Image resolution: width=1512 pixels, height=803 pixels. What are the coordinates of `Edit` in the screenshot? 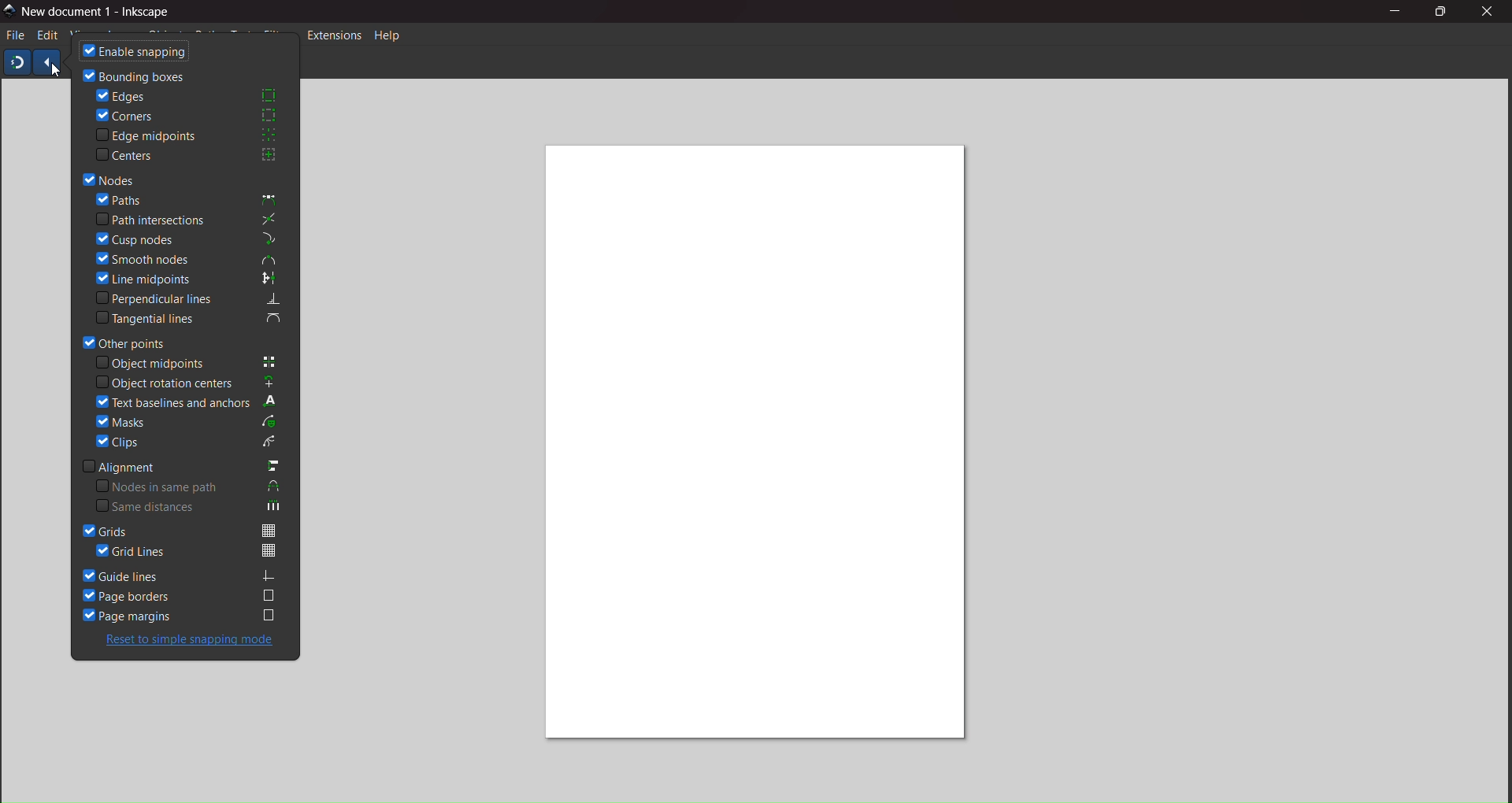 It's located at (46, 35).